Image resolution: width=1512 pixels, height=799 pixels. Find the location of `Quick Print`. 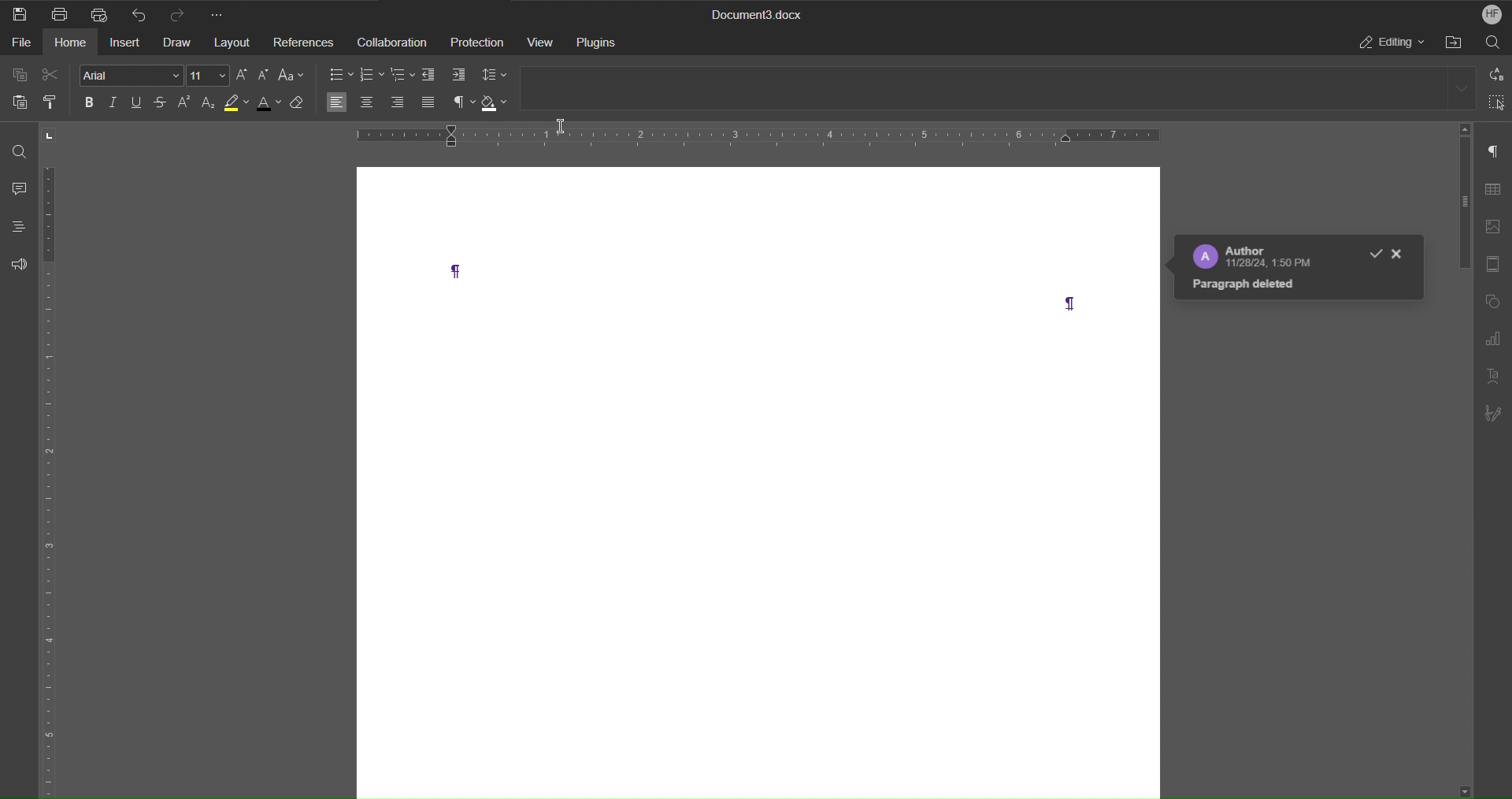

Quick Print is located at coordinates (99, 15).